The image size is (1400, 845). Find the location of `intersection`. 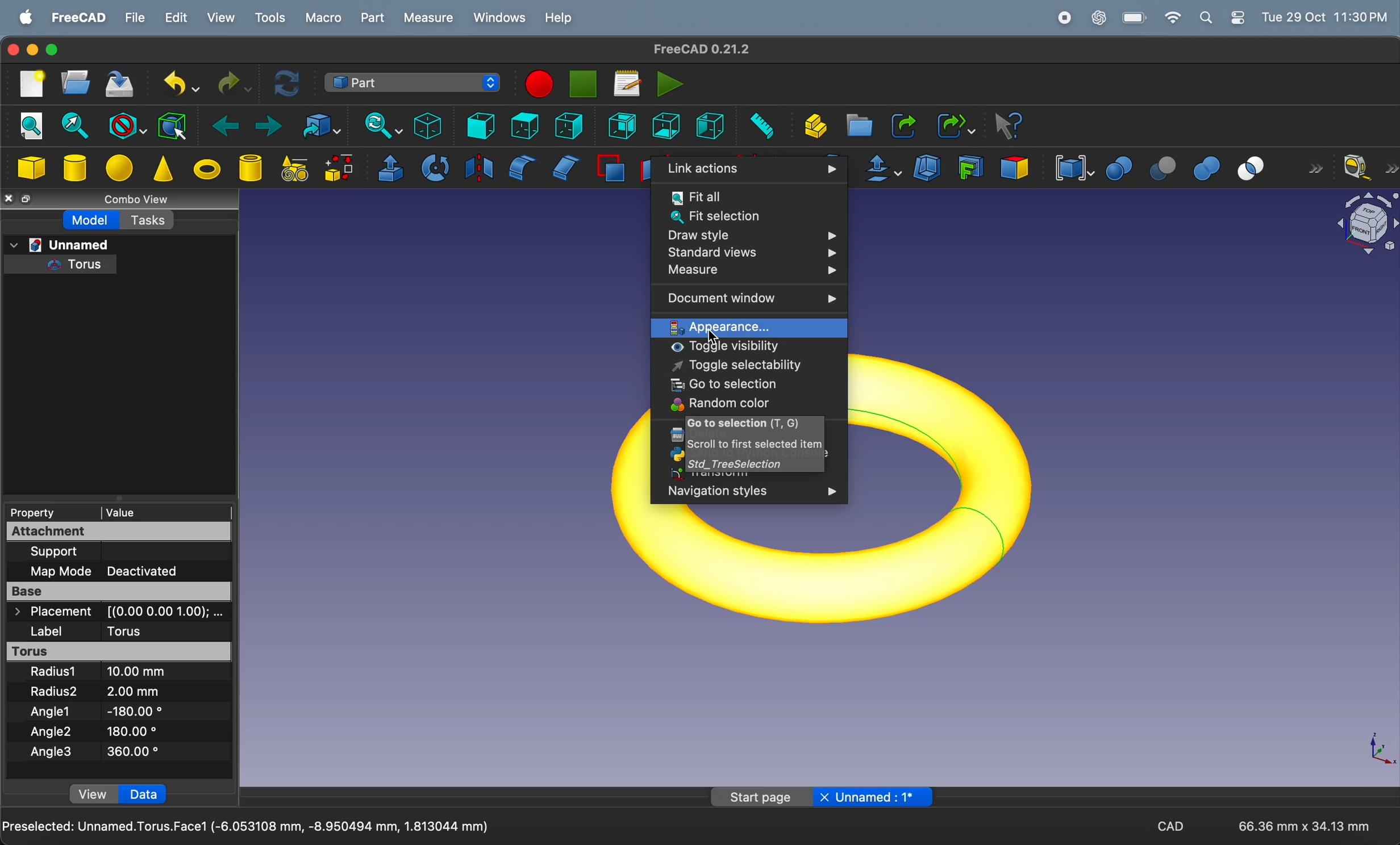

intersection is located at coordinates (1256, 167).